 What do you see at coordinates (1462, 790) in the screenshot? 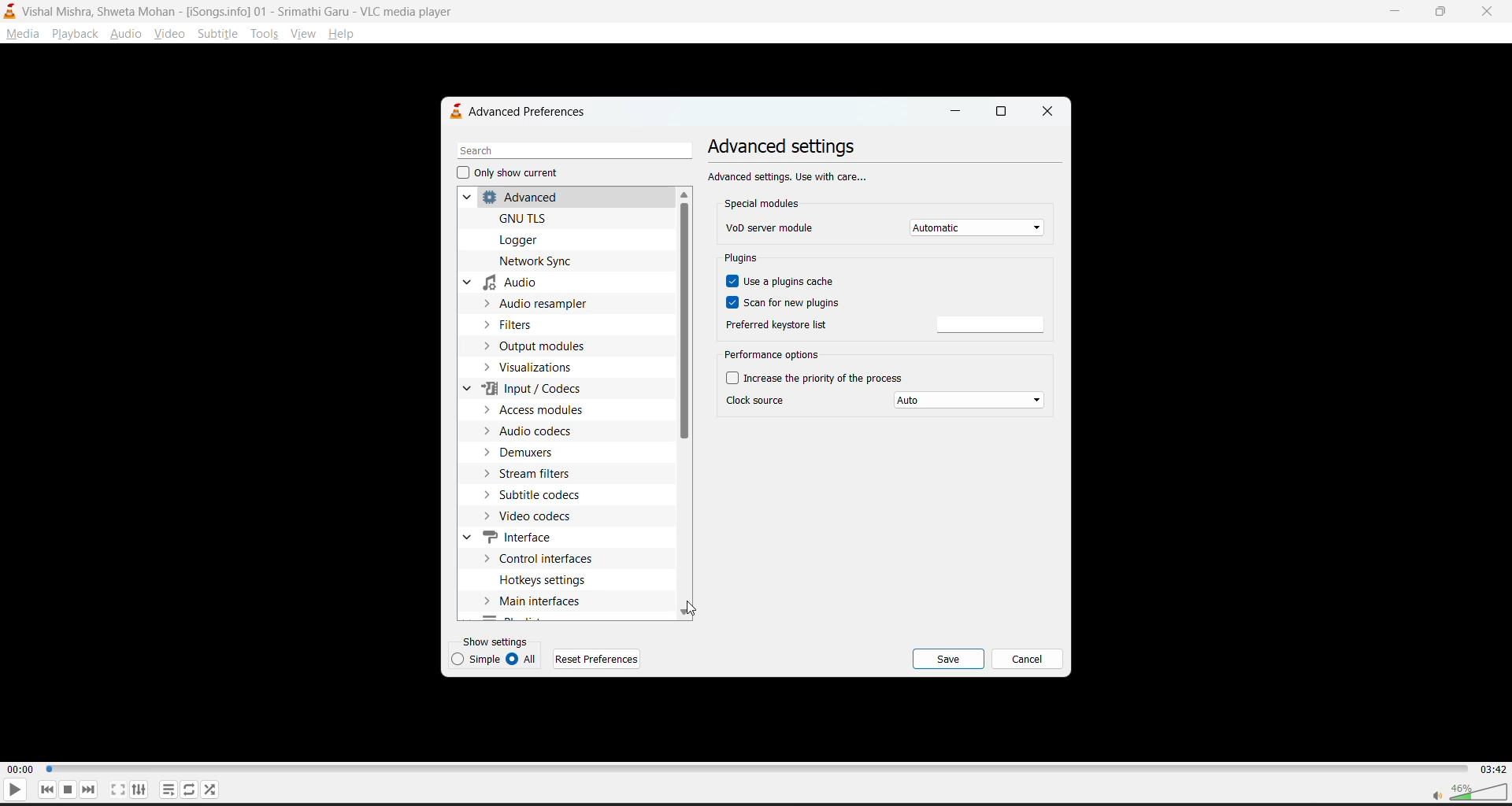
I see `volume` at bounding box center [1462, 790].